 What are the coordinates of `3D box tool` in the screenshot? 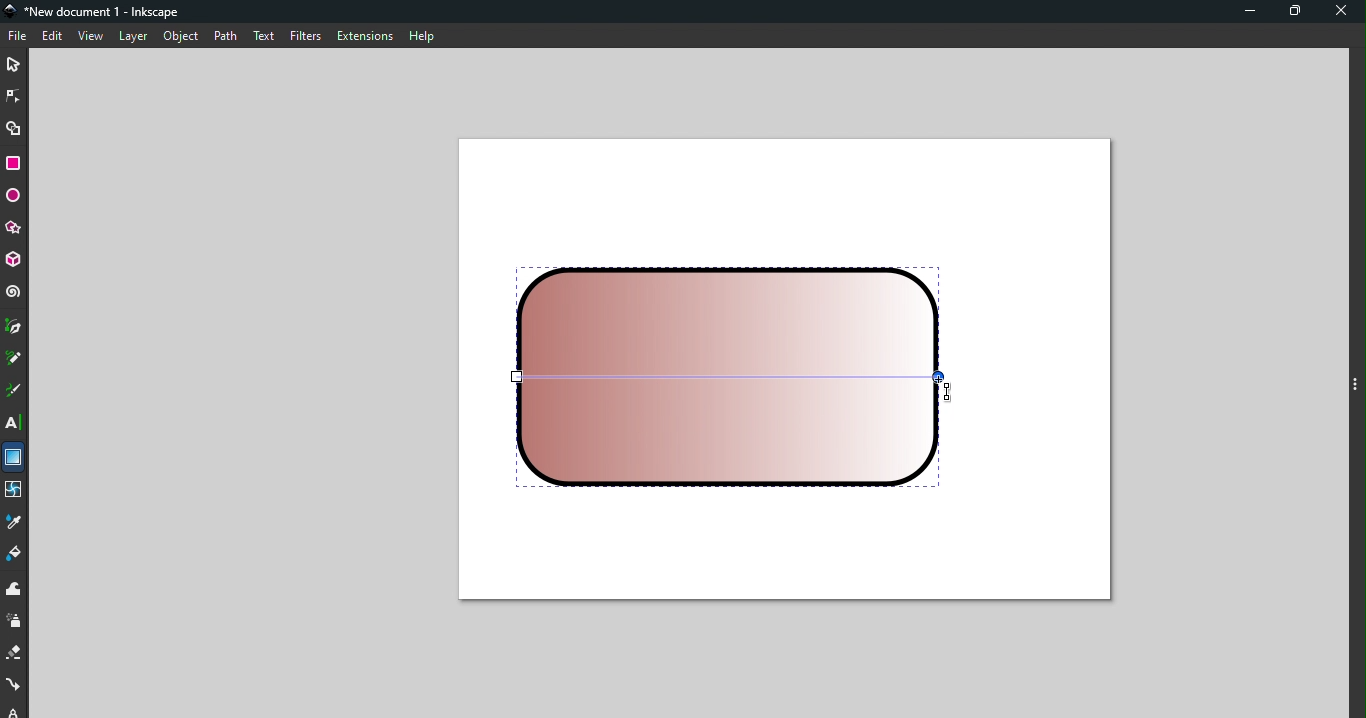 It's located at (15, 260).